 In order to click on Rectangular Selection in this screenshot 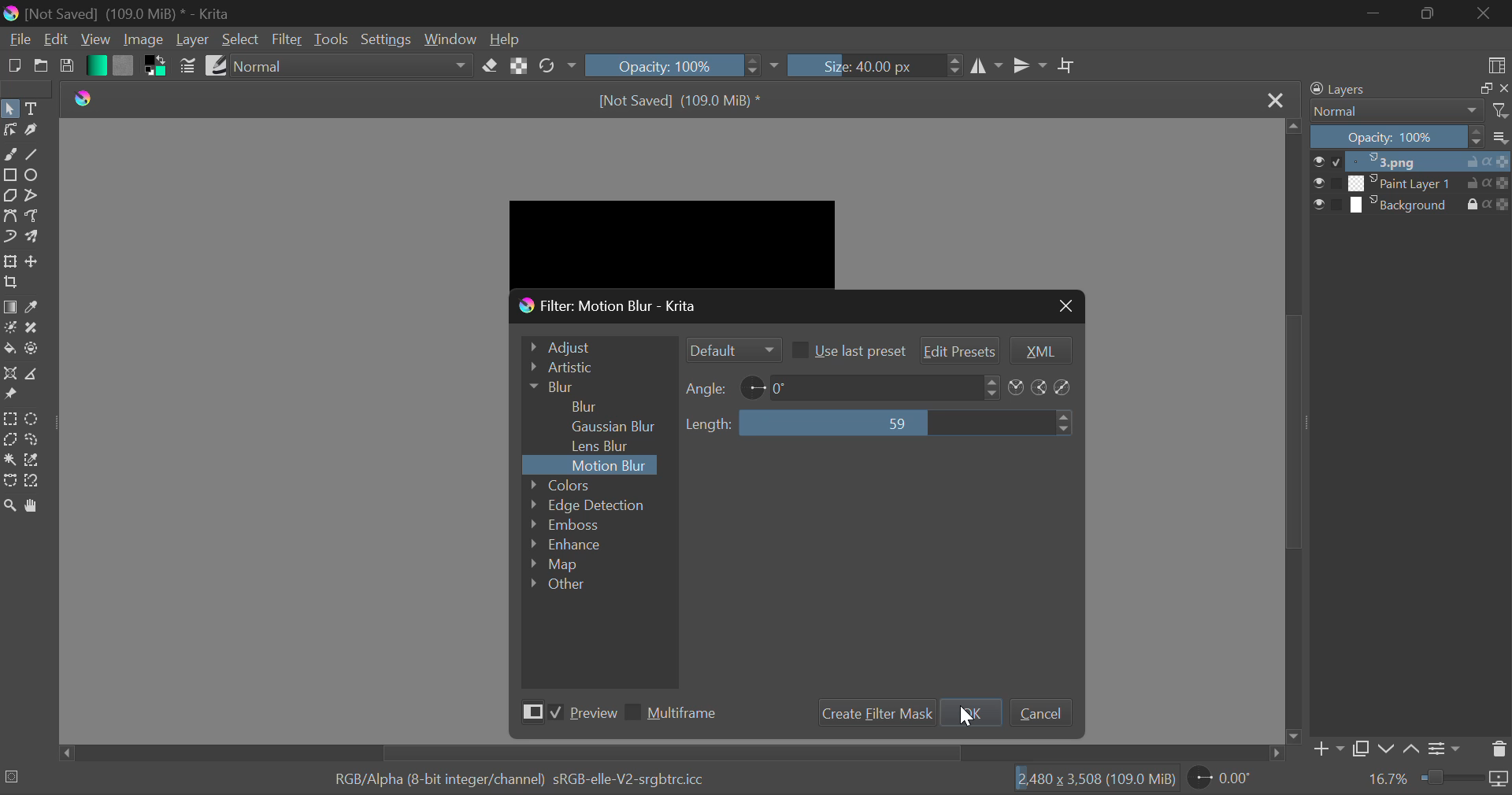, I will do `click(9, 419)`.